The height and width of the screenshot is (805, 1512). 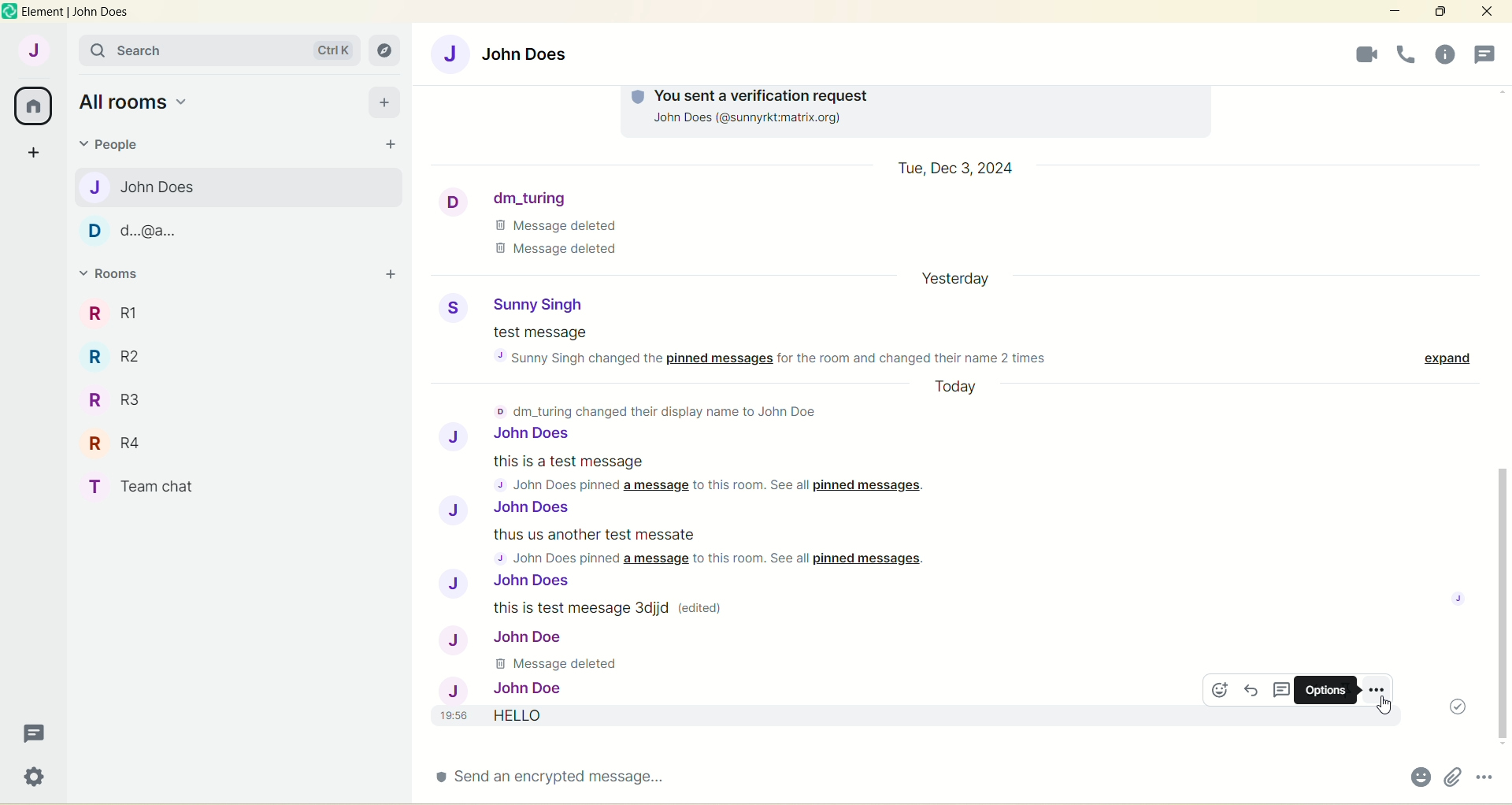 I want to click on send an encrypted message...., so click(x=559, y=783).